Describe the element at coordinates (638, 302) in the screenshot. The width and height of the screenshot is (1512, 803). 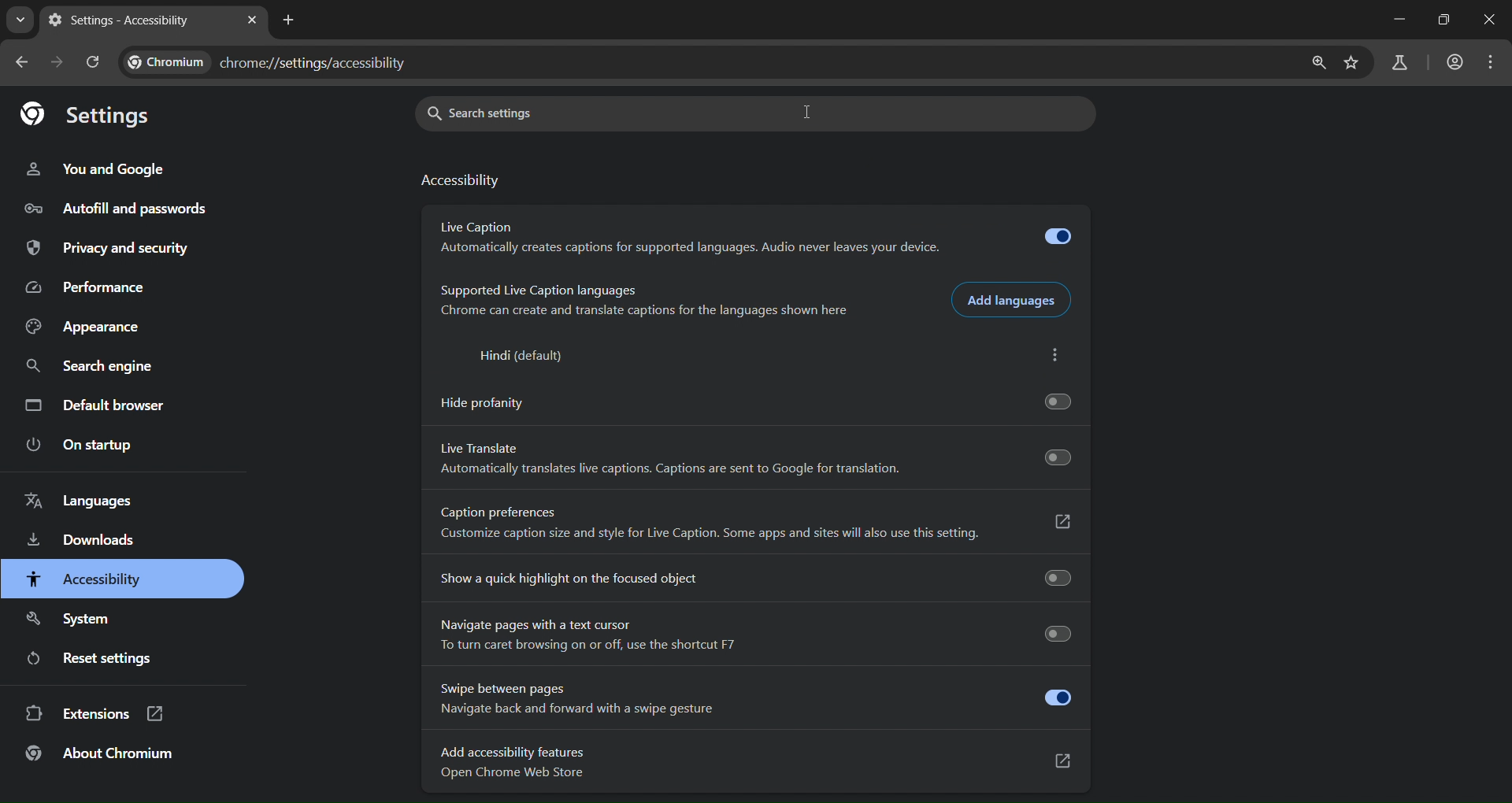
I see `Supported Live Caption languages
Chrome can create and translate captions for the languages shown here` at that location.